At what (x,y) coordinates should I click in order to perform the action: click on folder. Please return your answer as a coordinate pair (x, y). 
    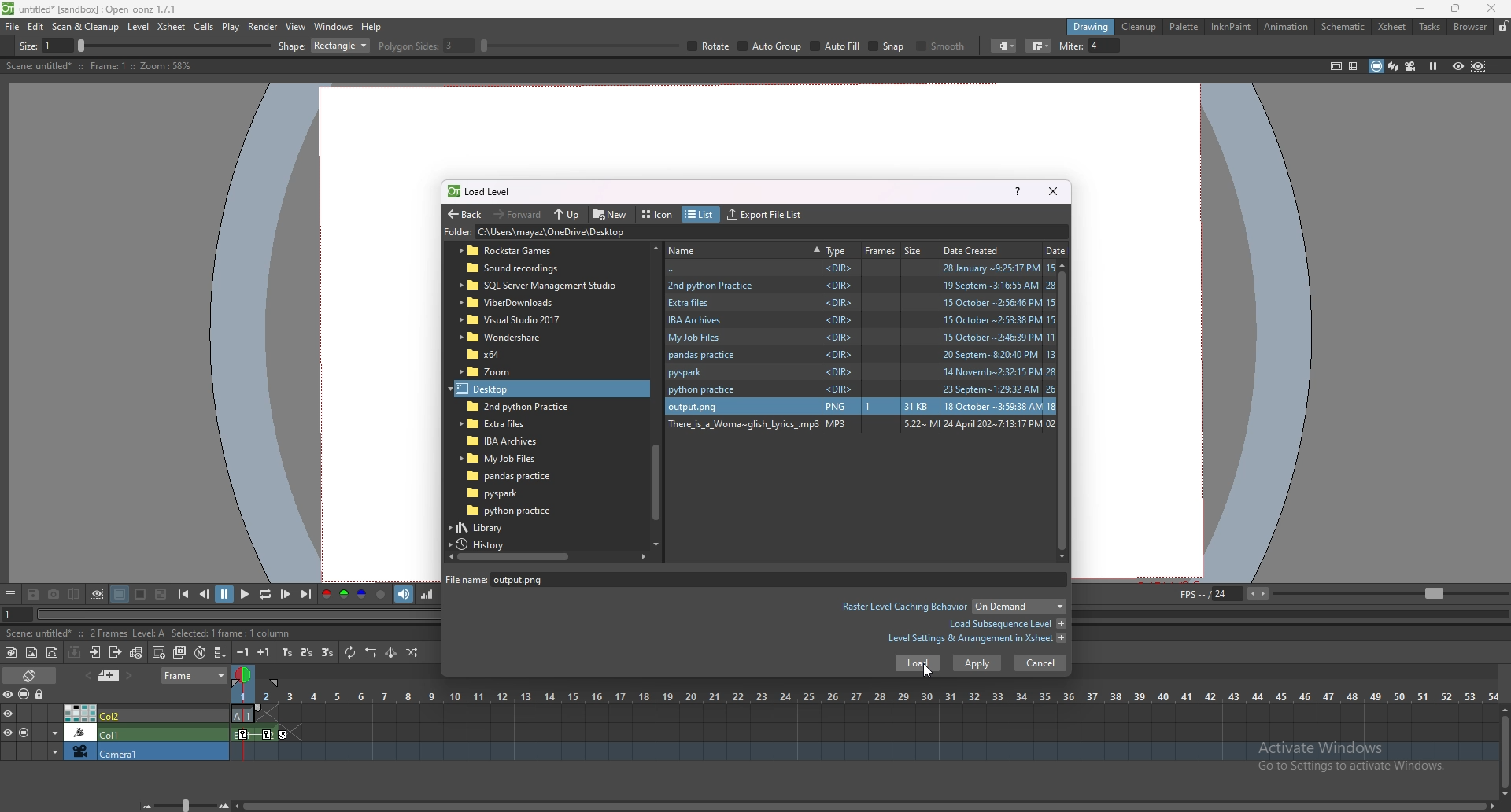
    Looking at the image, I should click on (519, 302).